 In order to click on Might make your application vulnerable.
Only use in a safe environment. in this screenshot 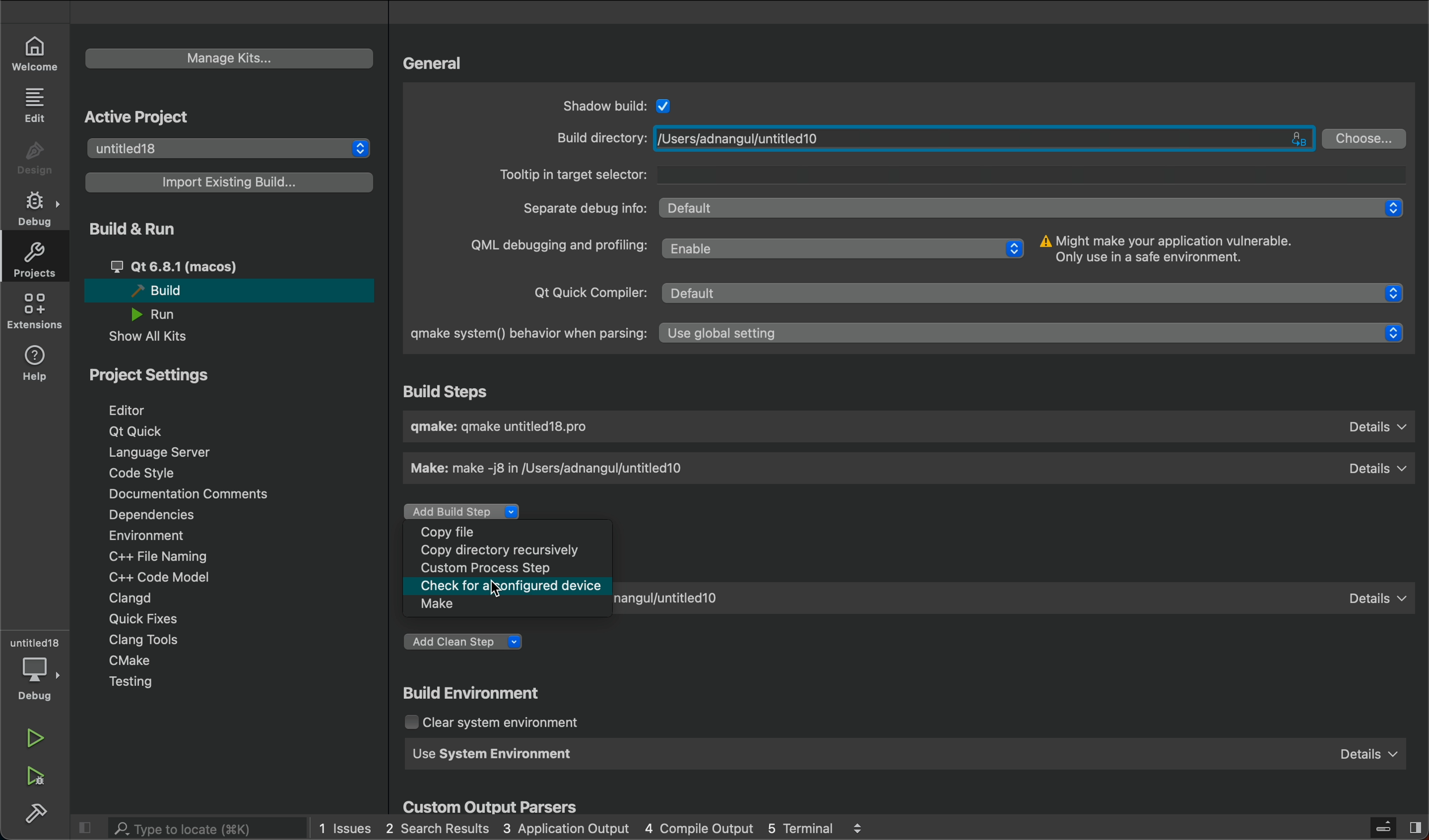, I will do `click(1176, 250)`.